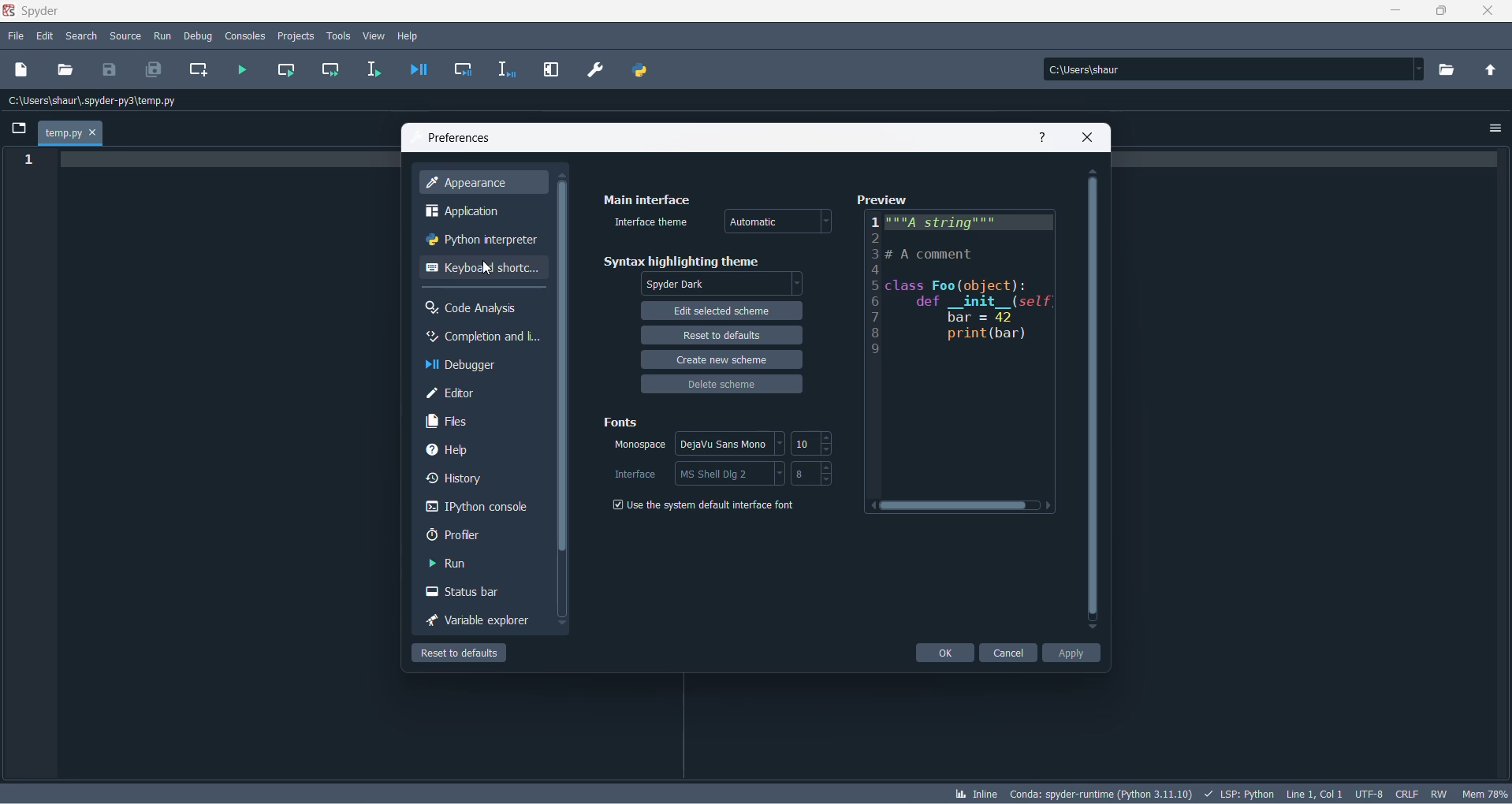 This screenshot has width=1512, height=804. I want to click on fonts, so click(621, 422).